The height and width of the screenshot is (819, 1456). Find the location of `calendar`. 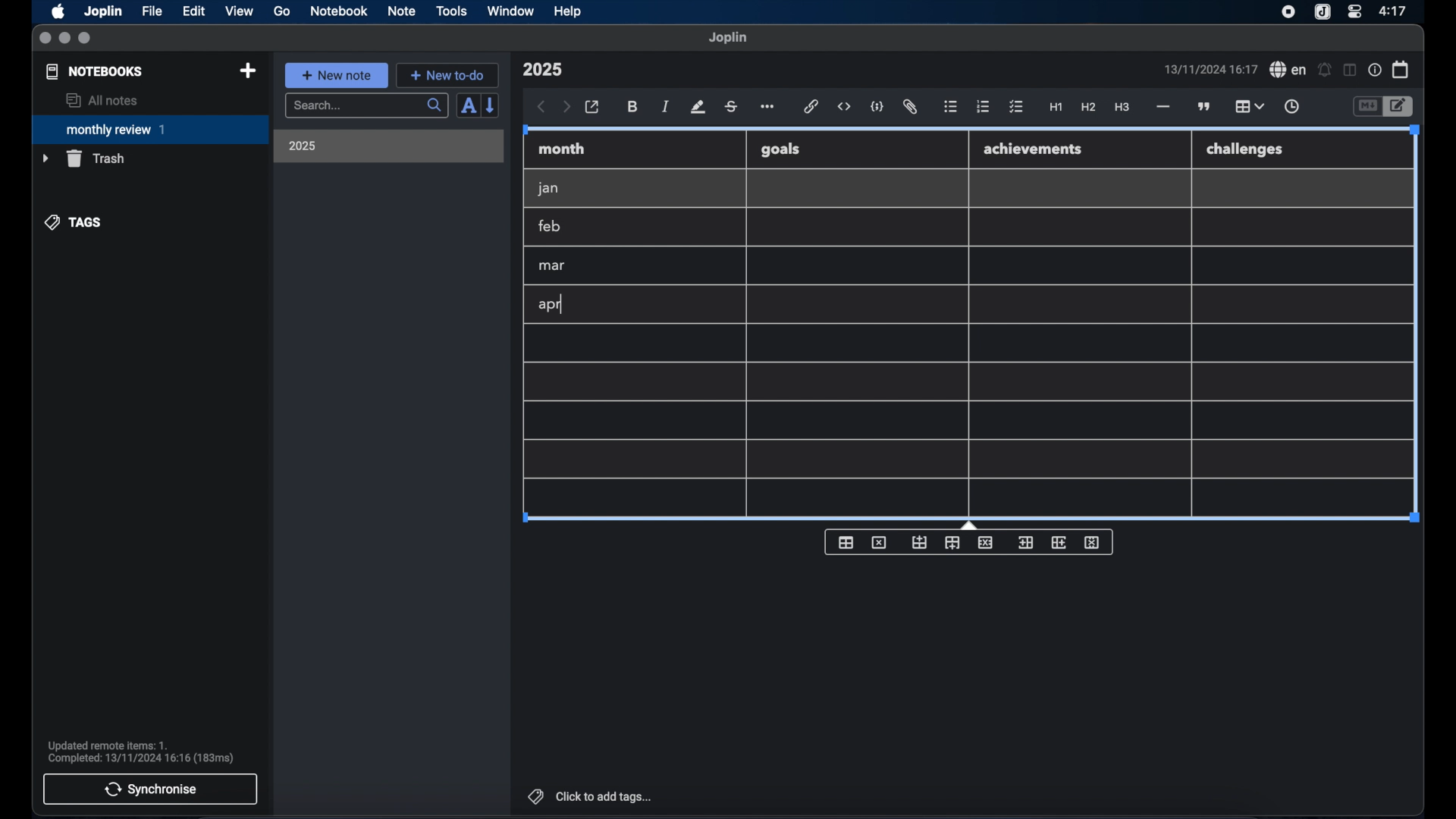

calendar is located at coordinates (1401, 69).